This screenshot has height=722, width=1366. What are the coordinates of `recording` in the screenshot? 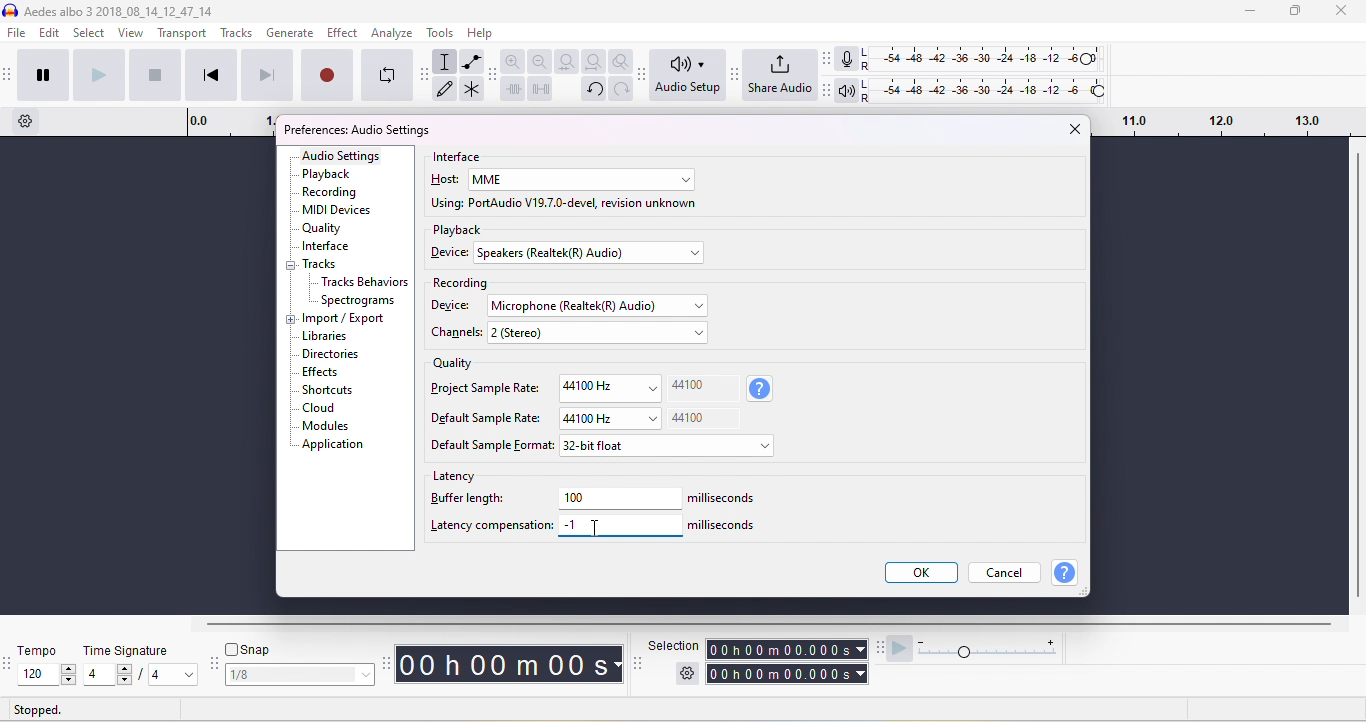 It's located at (459, 284).